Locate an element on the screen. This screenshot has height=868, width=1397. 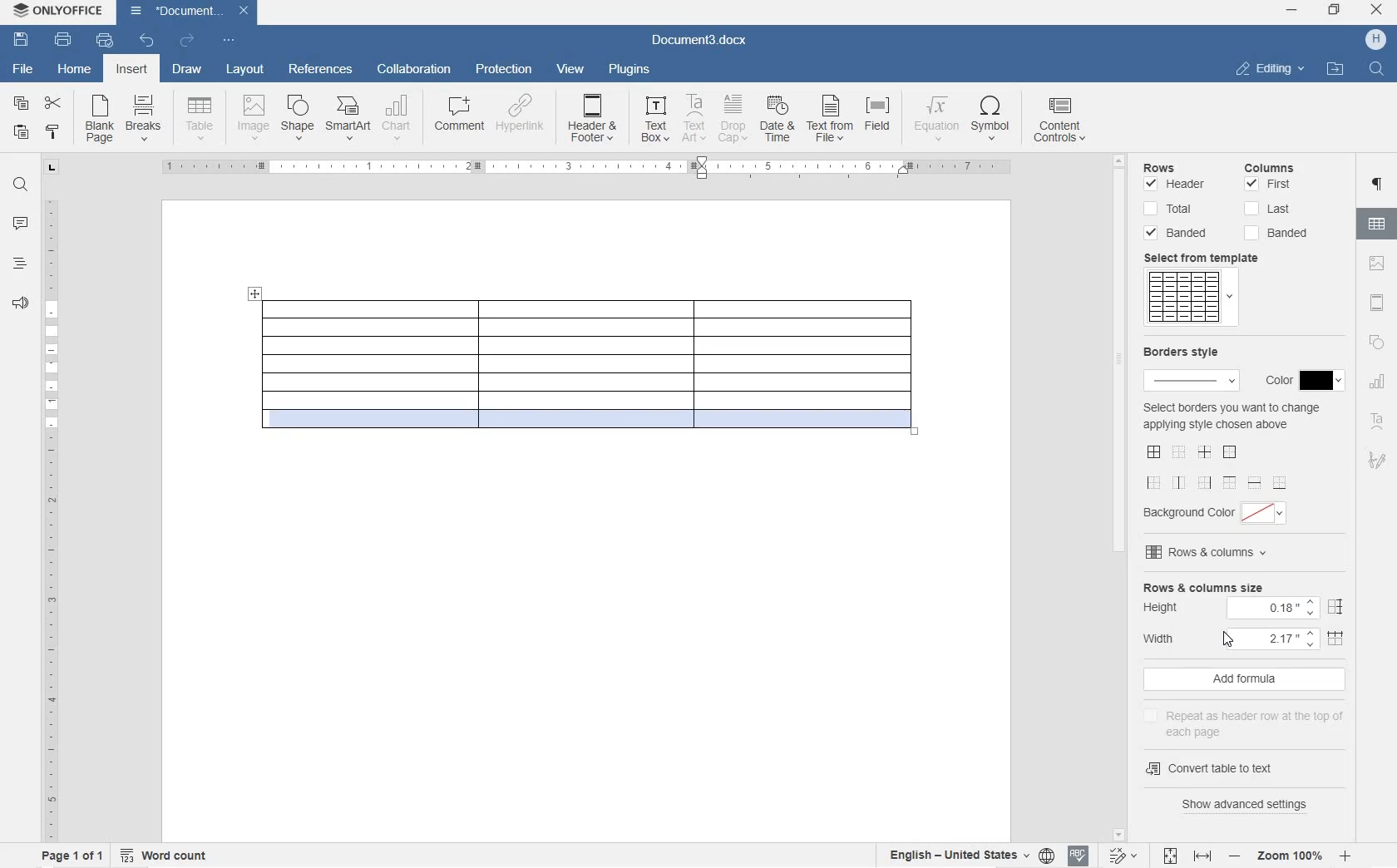
Height is located at coordinates (1246, 608).